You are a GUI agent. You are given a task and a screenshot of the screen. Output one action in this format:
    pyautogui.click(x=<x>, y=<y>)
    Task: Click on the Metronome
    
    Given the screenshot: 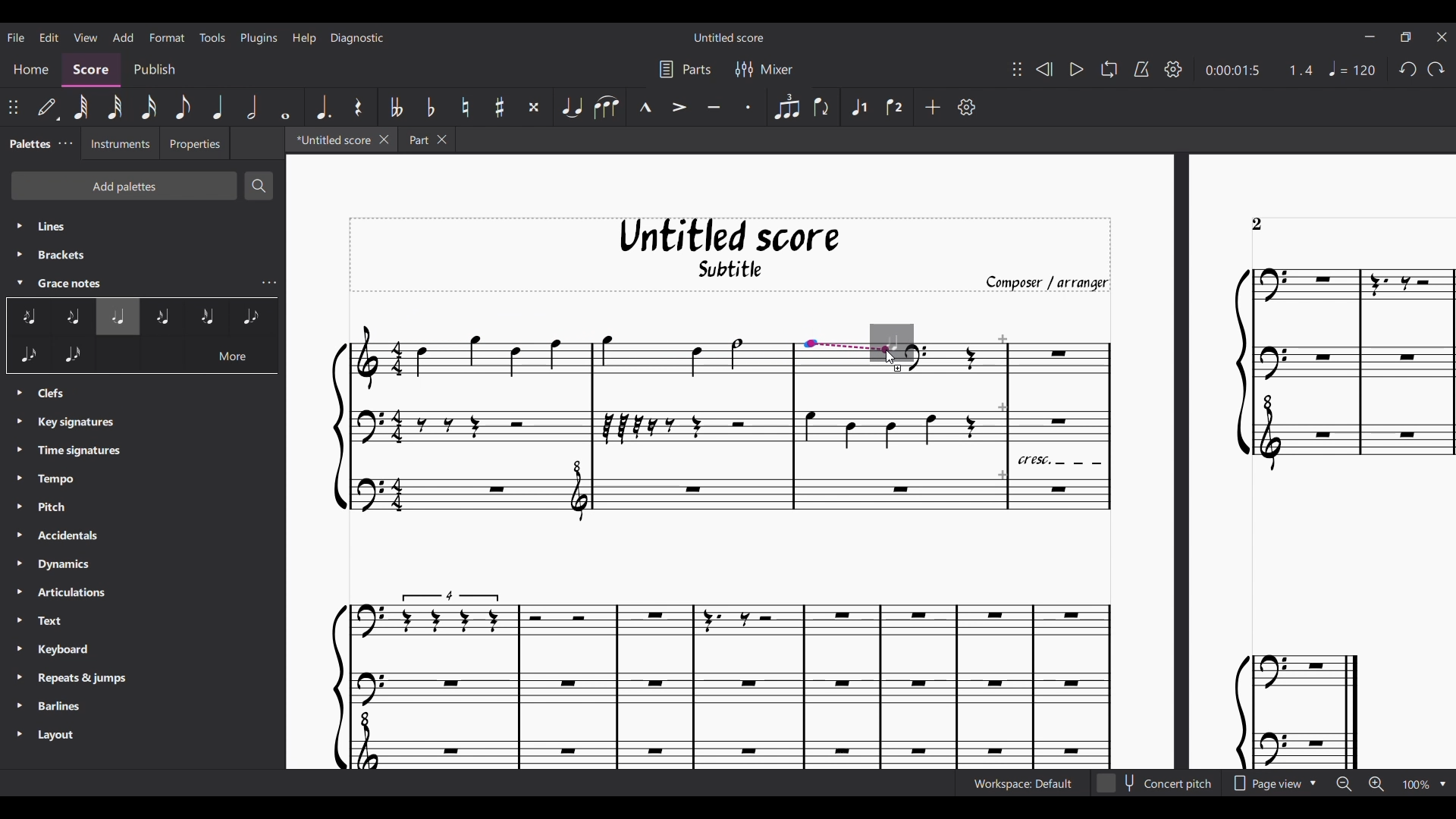 What is the action you would take?
    pyautogui.click(x=1141, y=69)
    